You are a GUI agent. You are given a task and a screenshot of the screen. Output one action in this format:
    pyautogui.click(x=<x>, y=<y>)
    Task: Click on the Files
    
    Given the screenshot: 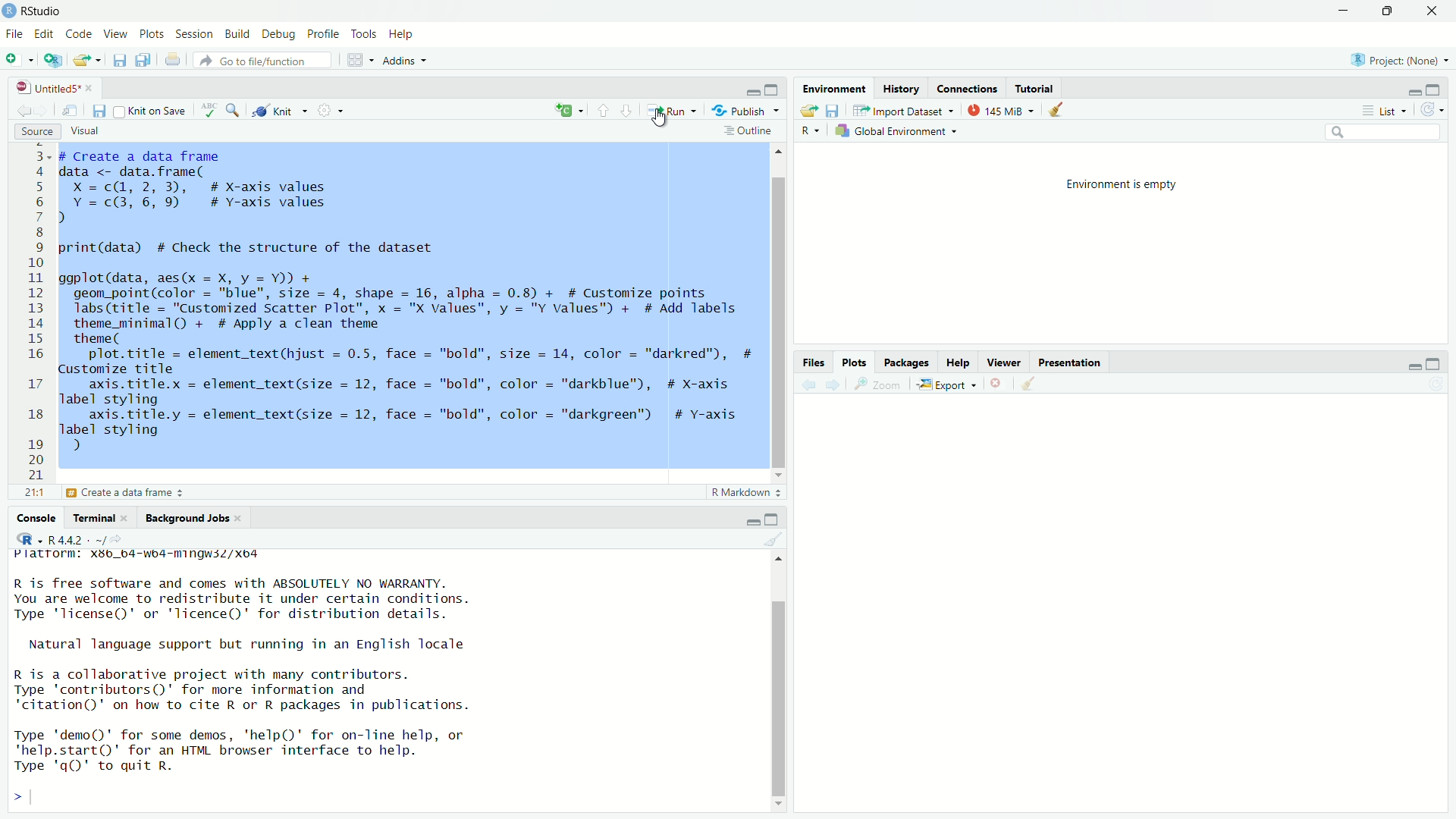 What is the action you would take?
    pyautogui.click(x=819, y=363)
    